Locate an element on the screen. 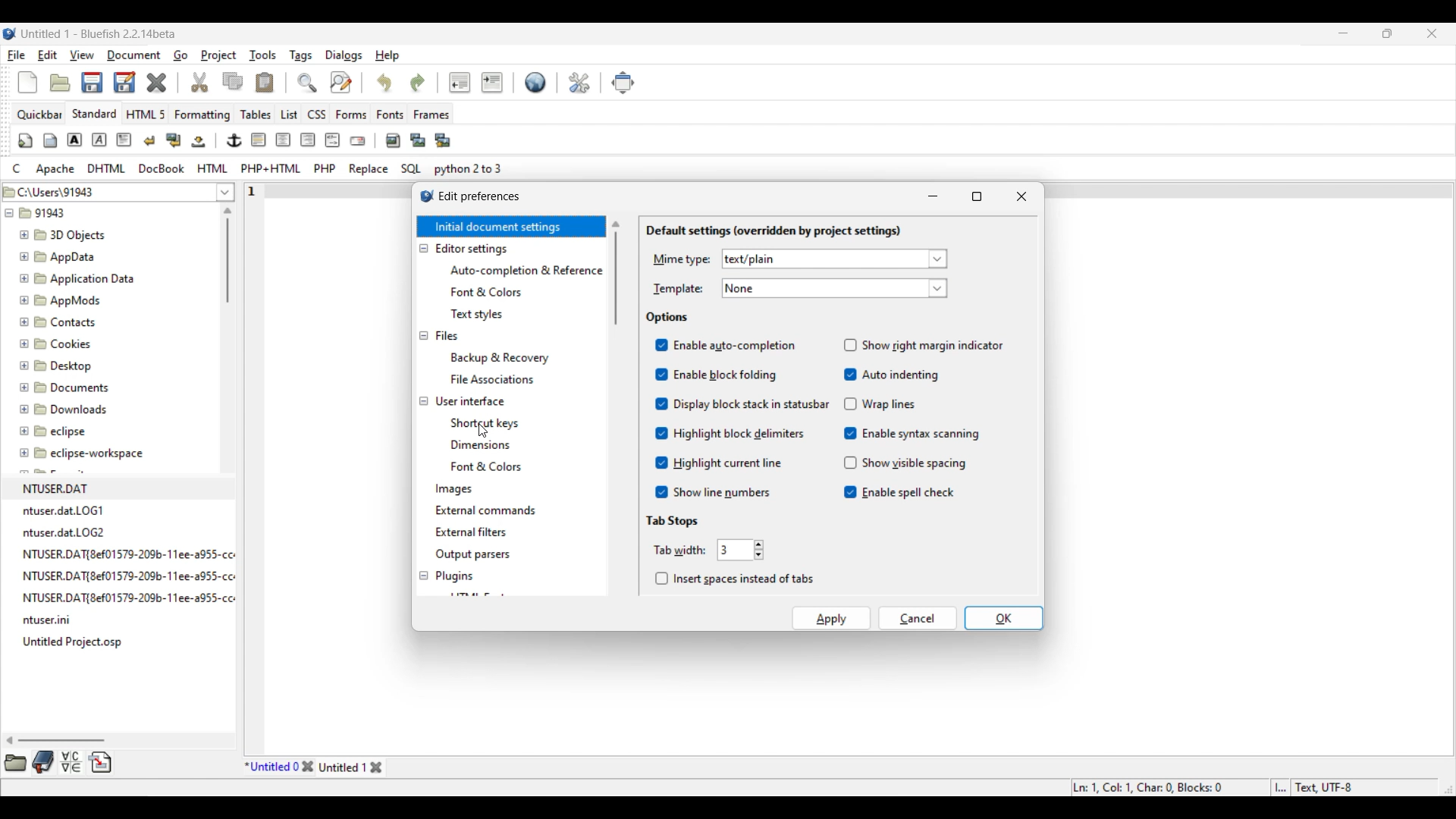 The height and width of the screenshot is (819, 1456). Initial document setting, current selection highlighted is located at coordinates (510, 227).